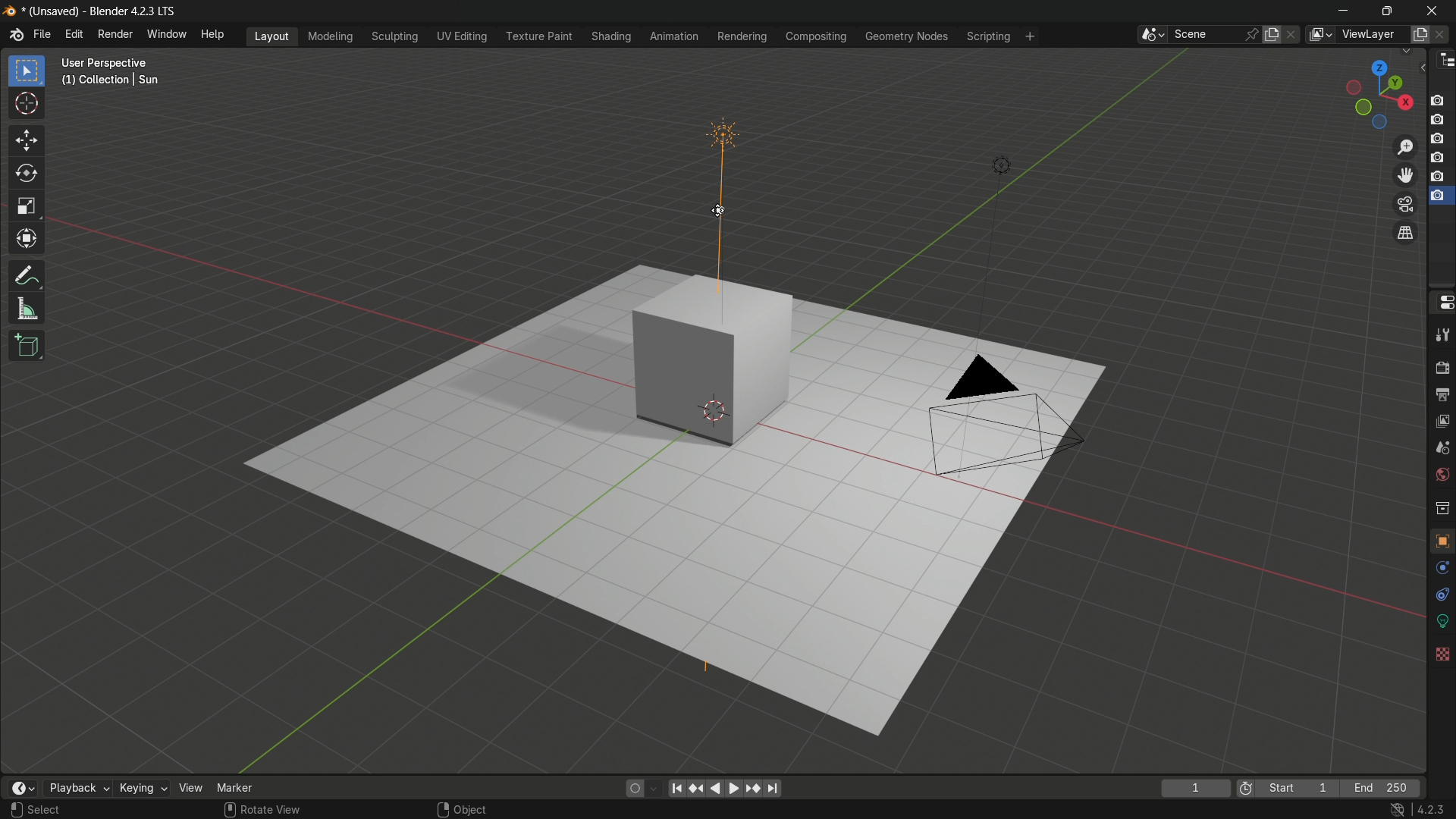 Image resolution: width=1456 pixels, height=819 pixels. Describe the element at coordinates (28, 277) in the screenshot. I see `annotate` at that location.